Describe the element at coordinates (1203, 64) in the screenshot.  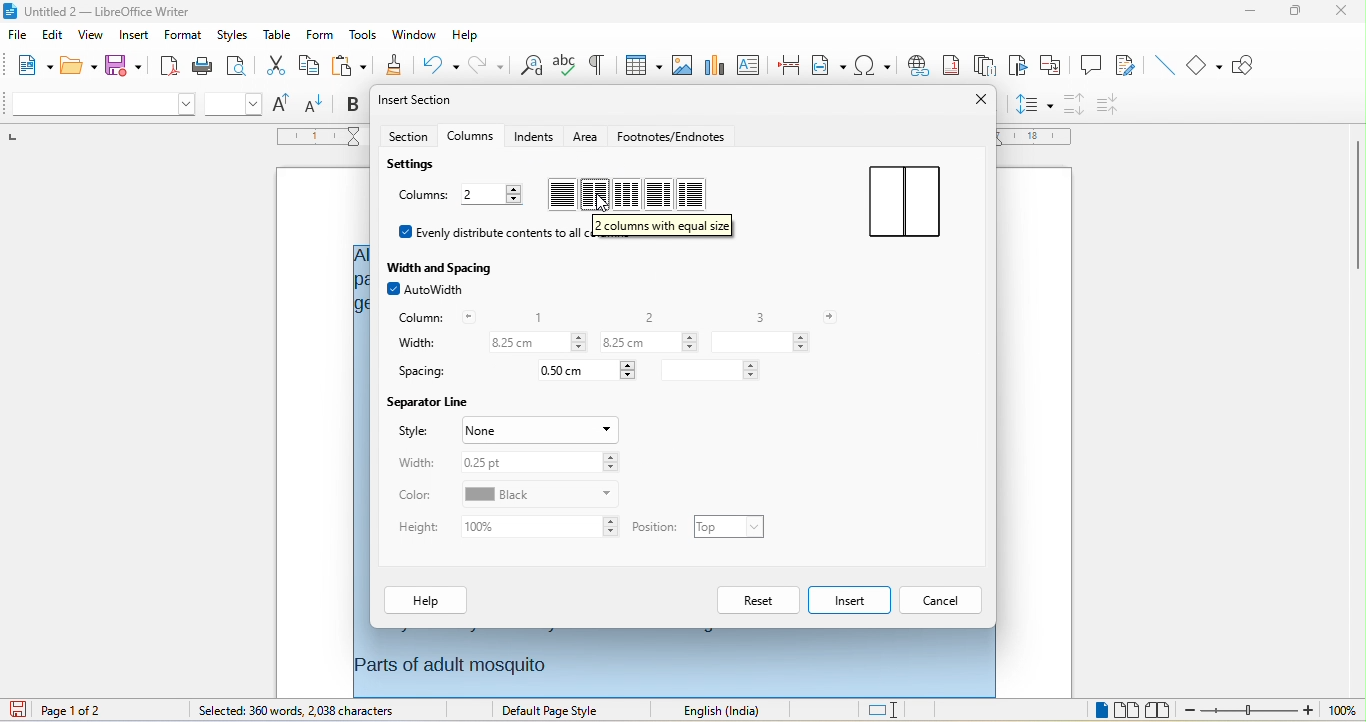
I see `basic shape` at that location.